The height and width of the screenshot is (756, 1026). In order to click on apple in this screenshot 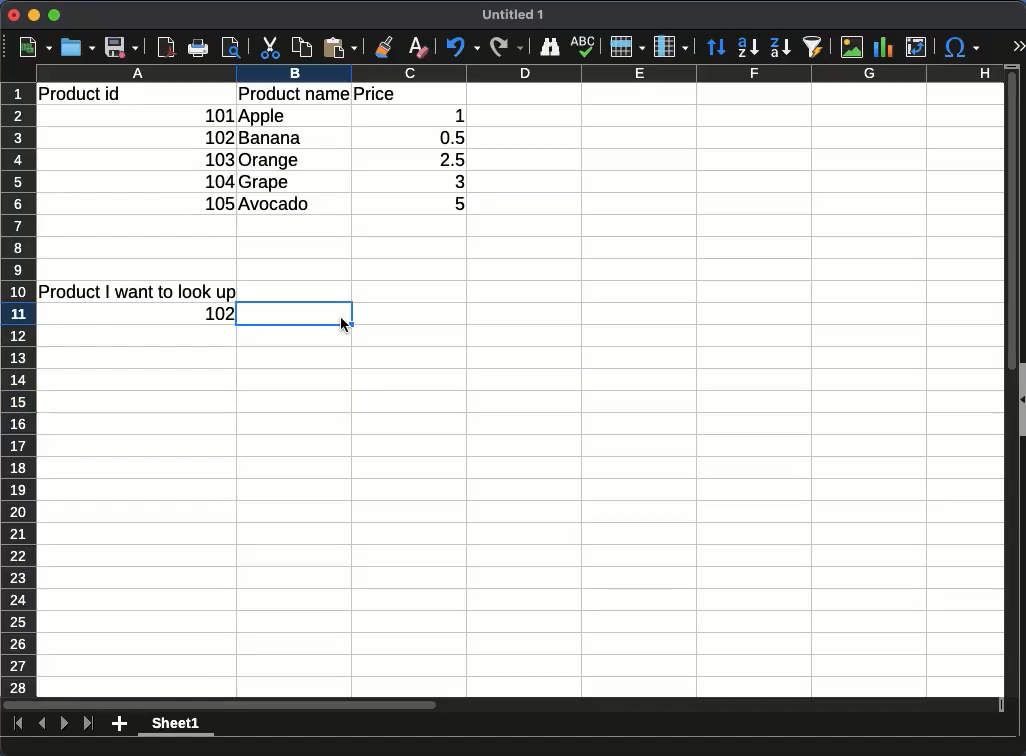, I will do `click(263, 116)`.